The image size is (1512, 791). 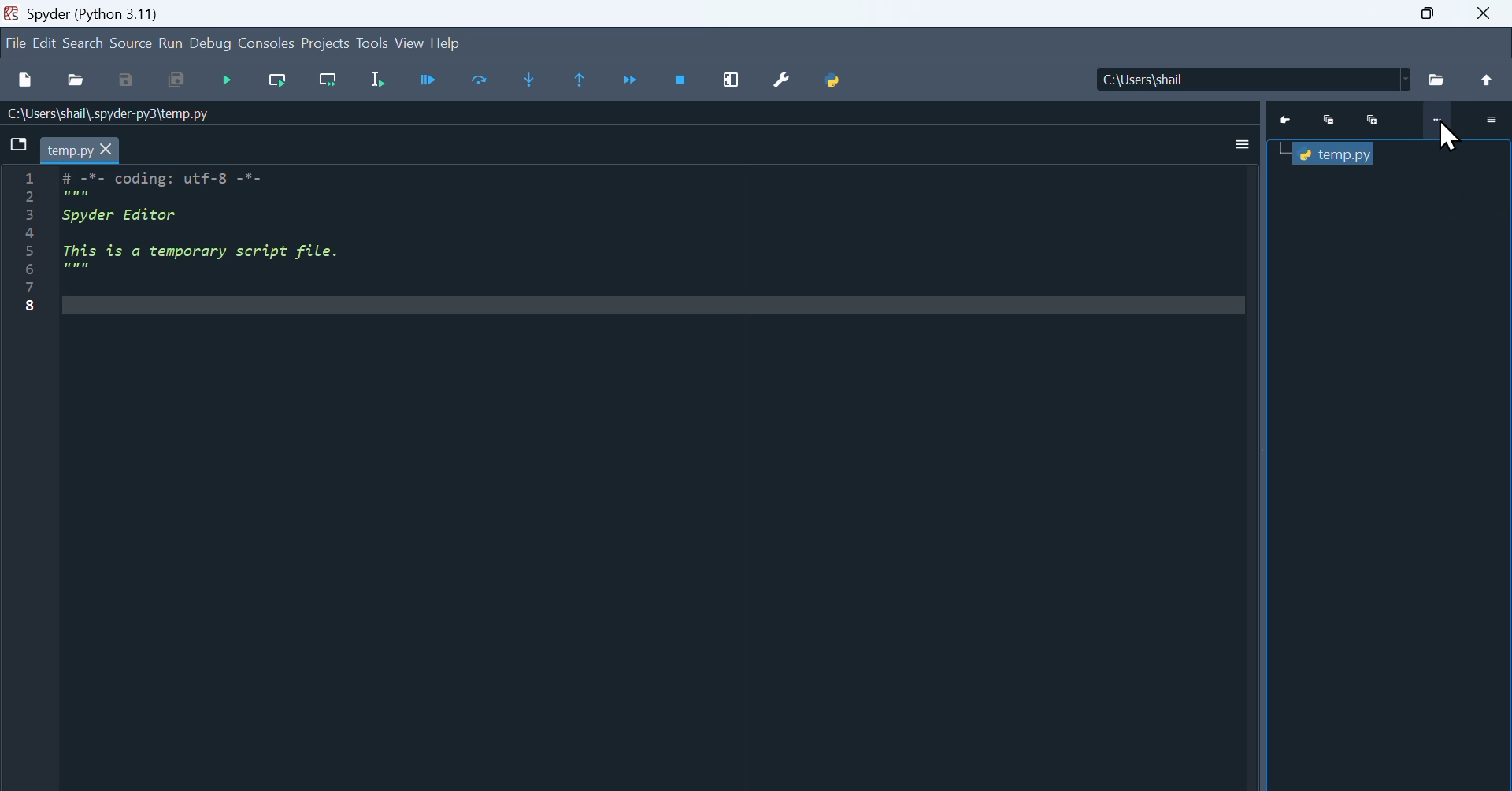 What do you see at coordinates (132, 44) in the screenshot?
I see `Source` at bounding box center [132, 44].